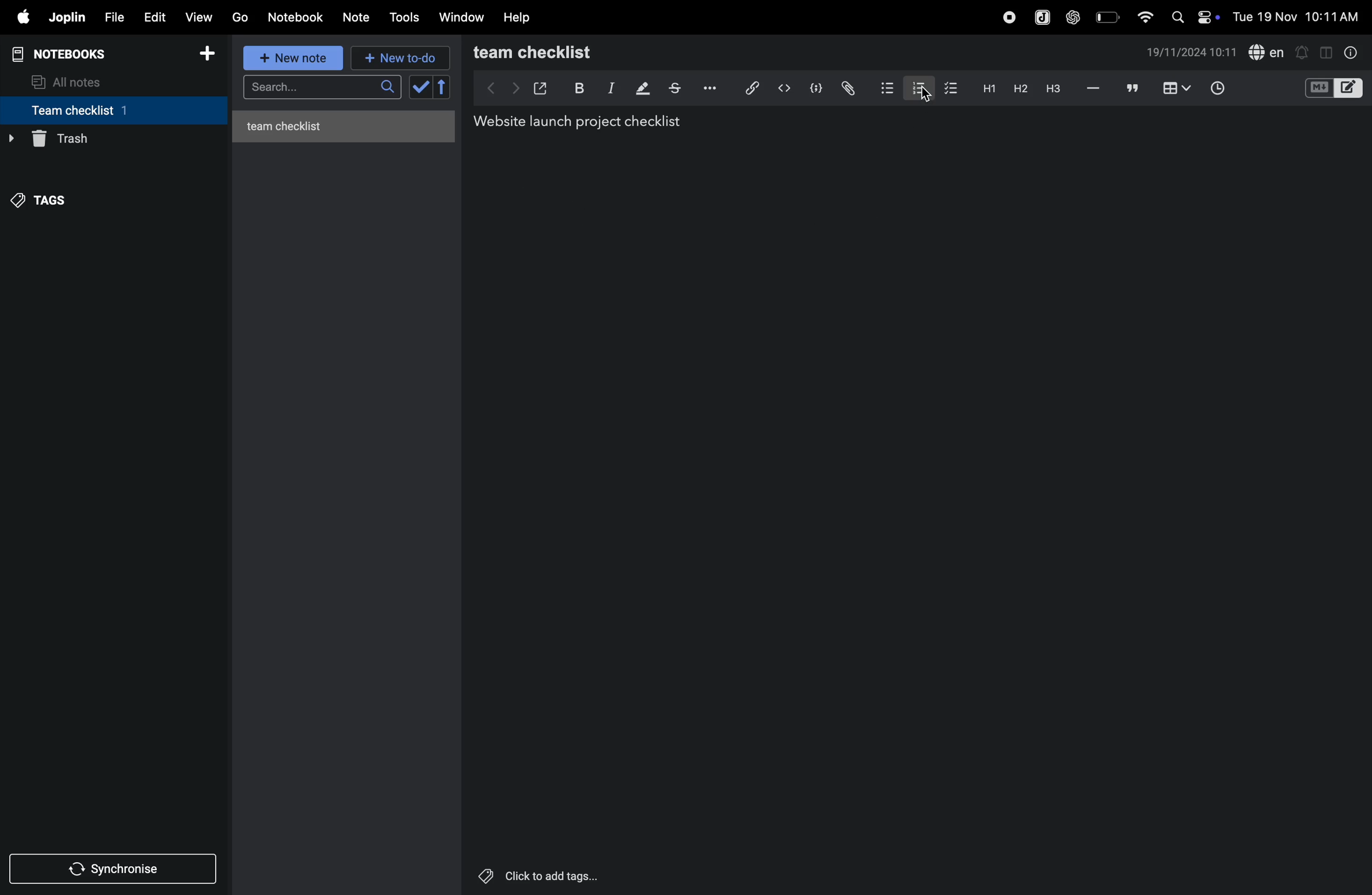 The width and height of the screenshot is (1372, 895). I want to click on date and time, so click(1297, 17).